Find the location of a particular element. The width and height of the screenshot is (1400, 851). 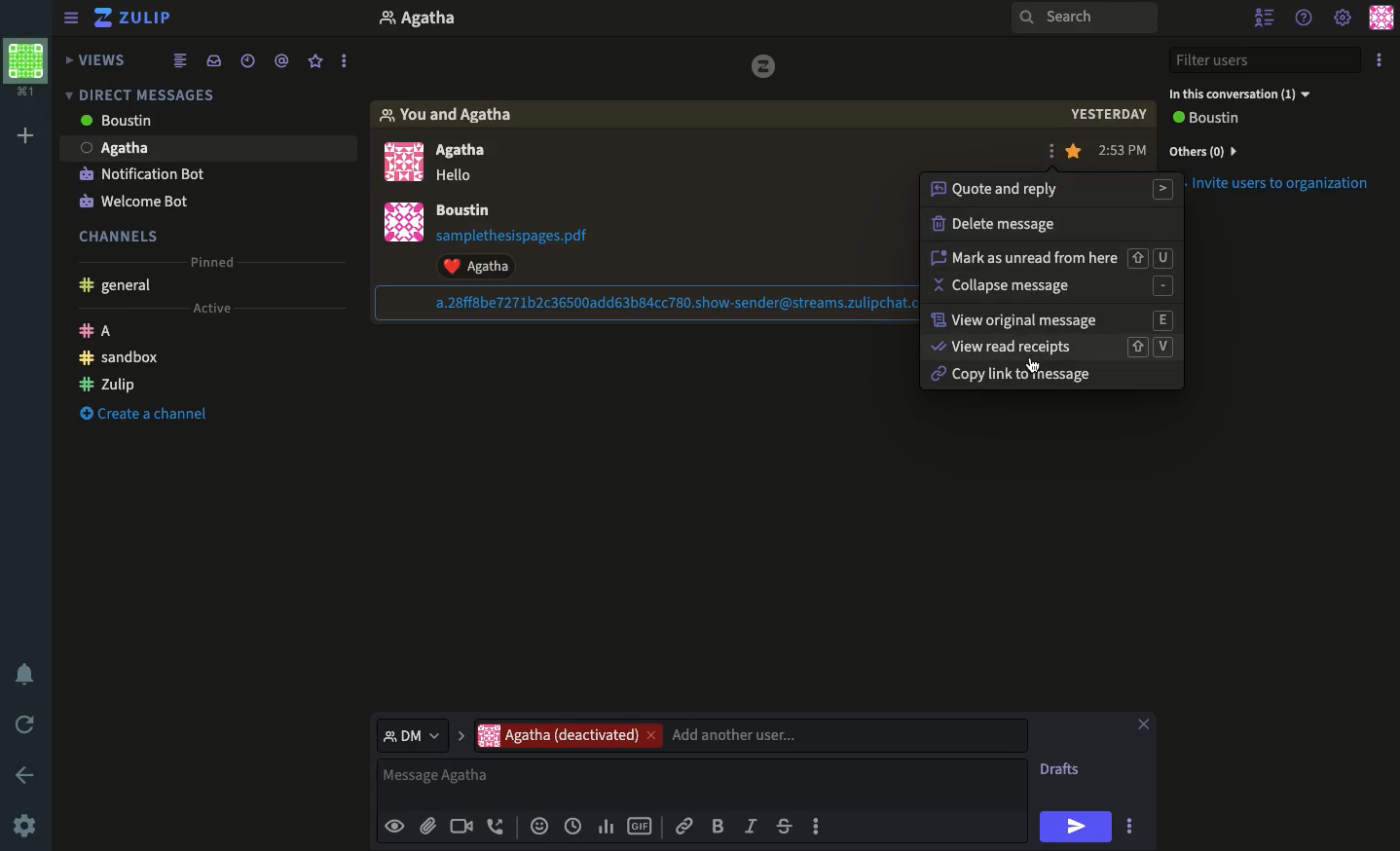

Views is located at coordinates (99, 61).